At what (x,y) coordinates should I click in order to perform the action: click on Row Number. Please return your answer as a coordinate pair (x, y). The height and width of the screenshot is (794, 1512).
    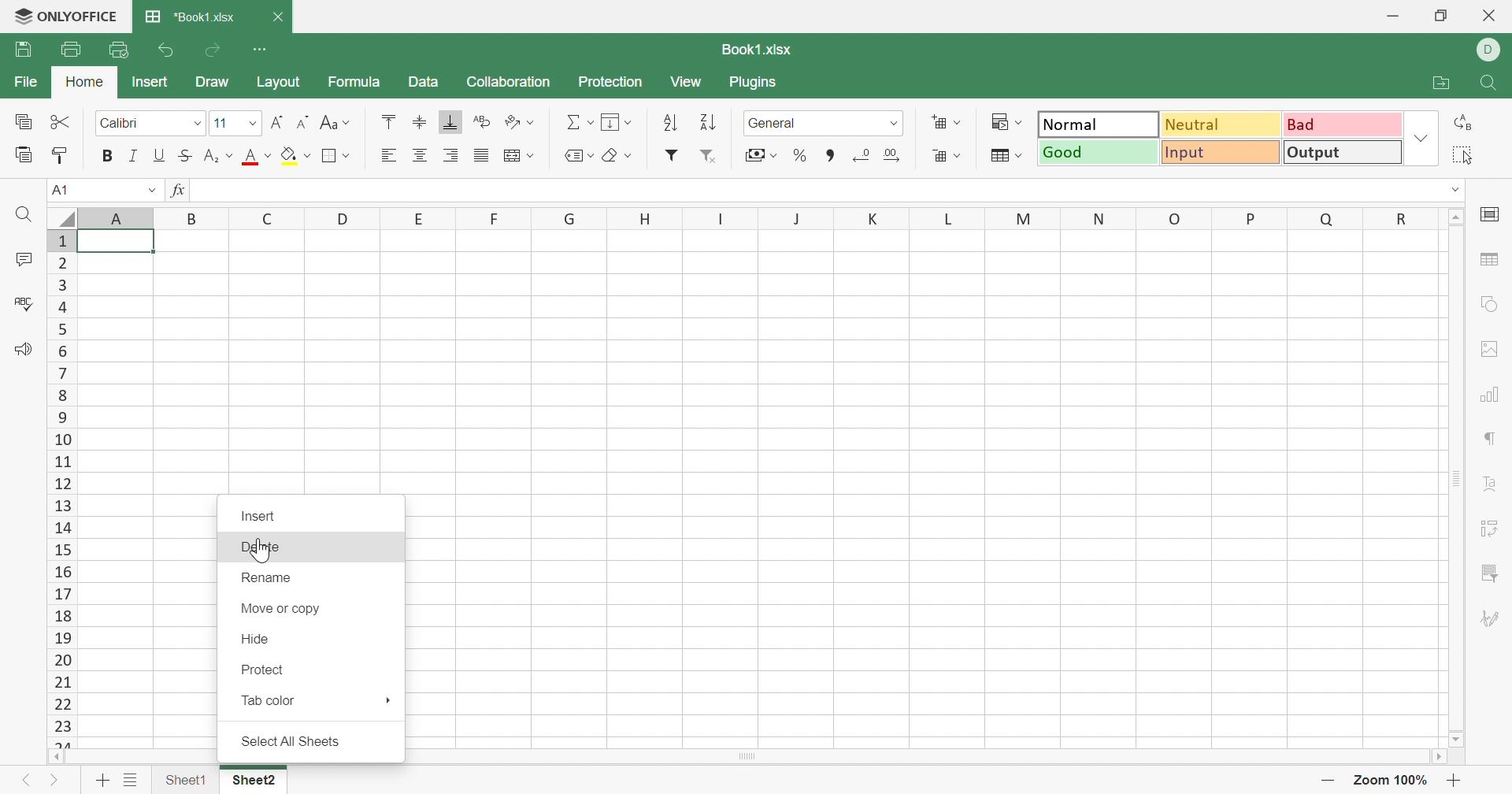
    Looking at the image, I should click on (62, 489).